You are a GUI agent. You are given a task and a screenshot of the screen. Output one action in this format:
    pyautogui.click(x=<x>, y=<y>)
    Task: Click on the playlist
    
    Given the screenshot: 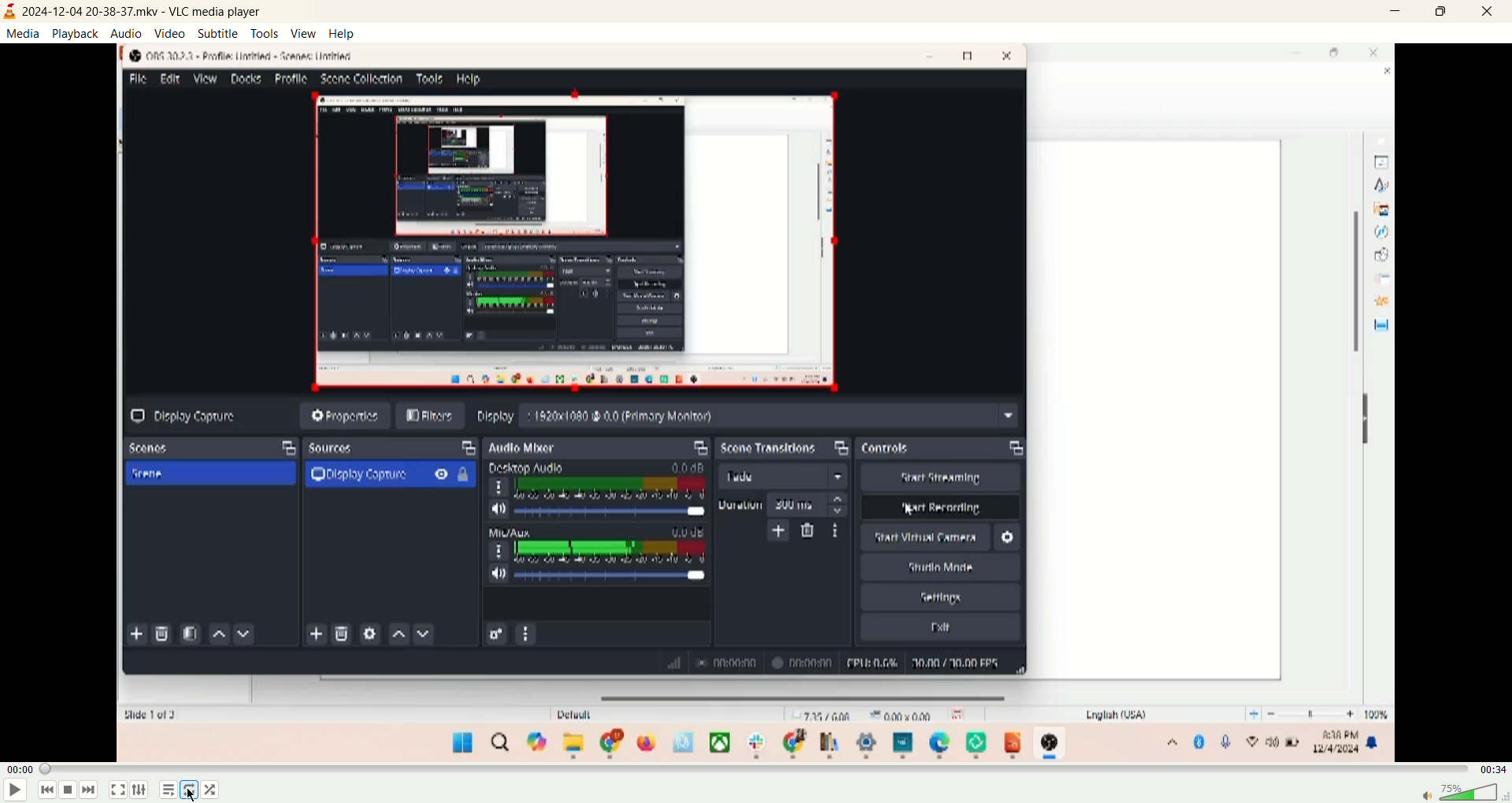 What is the action you would take?
    pyautogui.click(x=169, y=790)
    